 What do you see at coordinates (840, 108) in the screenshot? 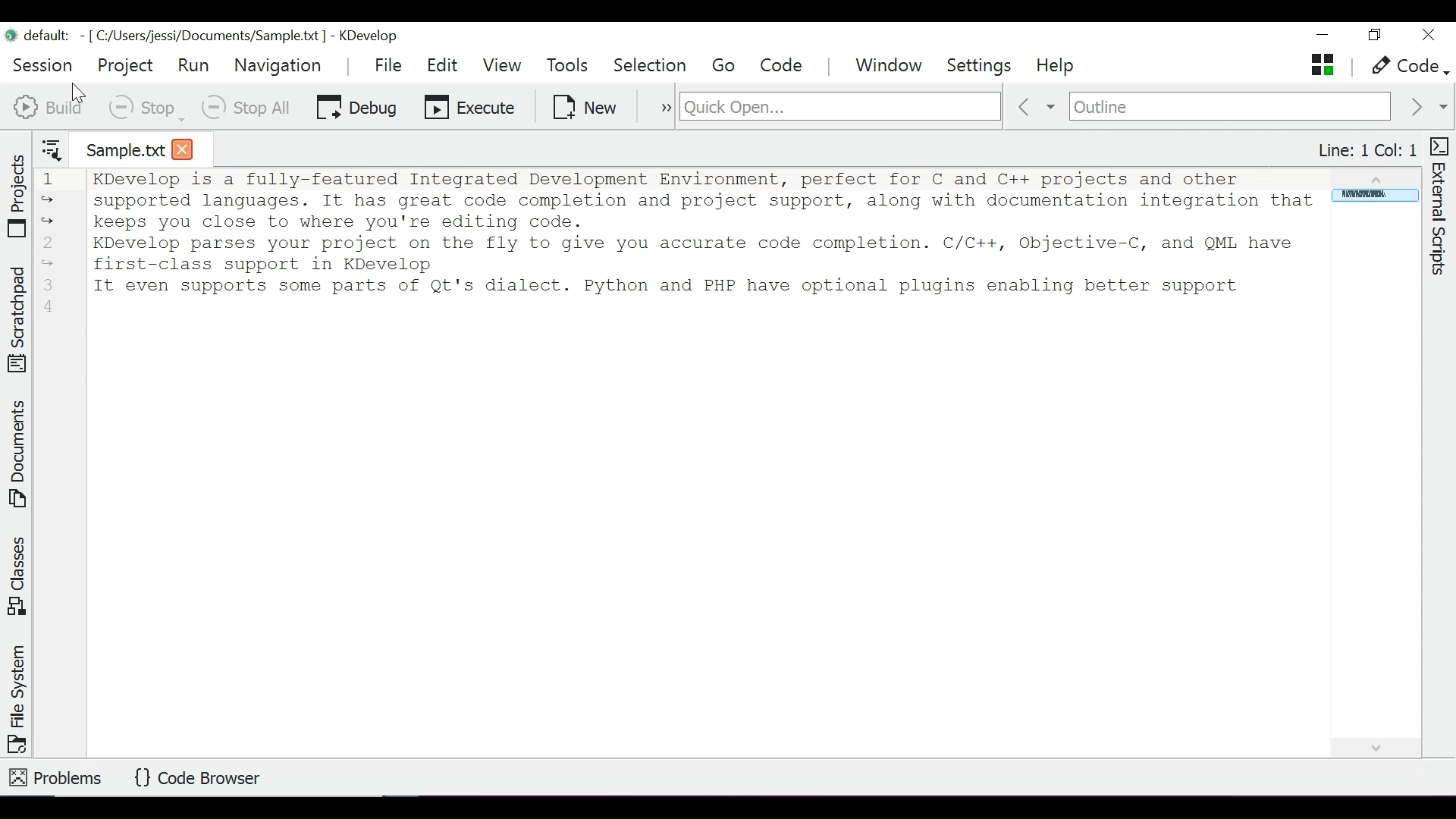
I see `Search for files, classes, functions and more` at bounding box center [840, 108].